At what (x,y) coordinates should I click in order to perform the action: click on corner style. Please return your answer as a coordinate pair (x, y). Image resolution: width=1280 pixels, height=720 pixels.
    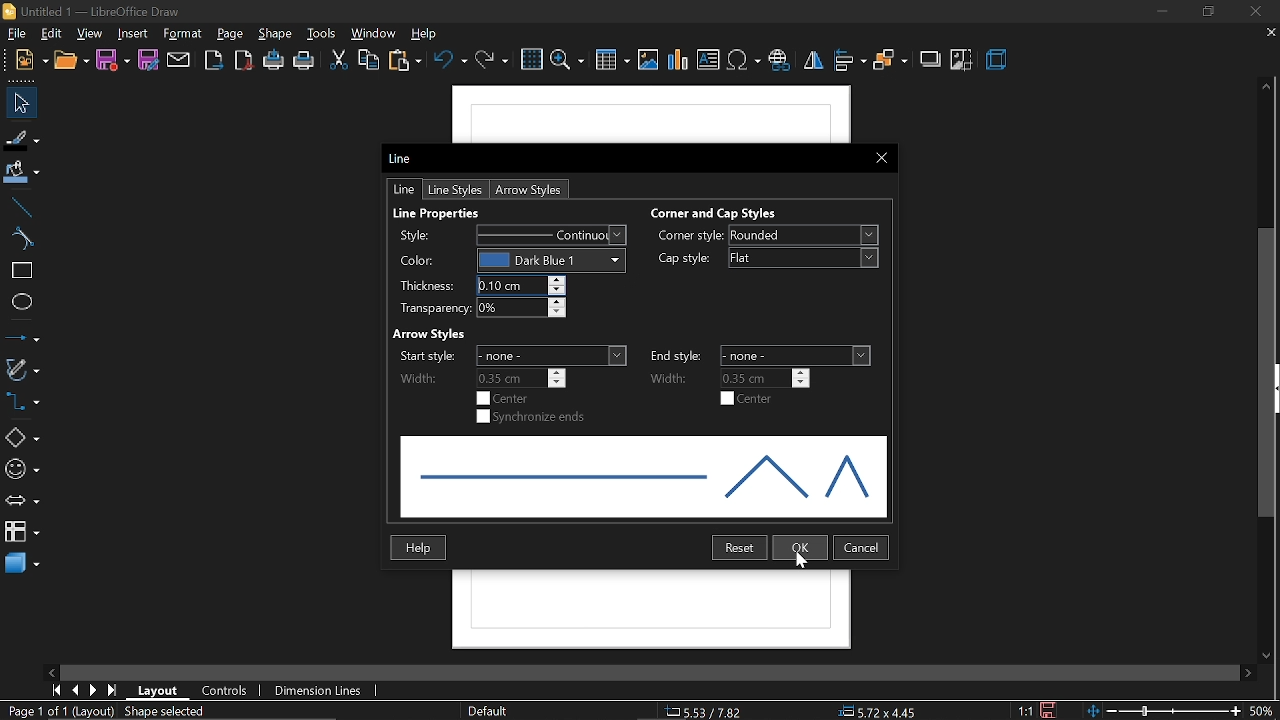
    Looking at the image, I should click on (802, 236).